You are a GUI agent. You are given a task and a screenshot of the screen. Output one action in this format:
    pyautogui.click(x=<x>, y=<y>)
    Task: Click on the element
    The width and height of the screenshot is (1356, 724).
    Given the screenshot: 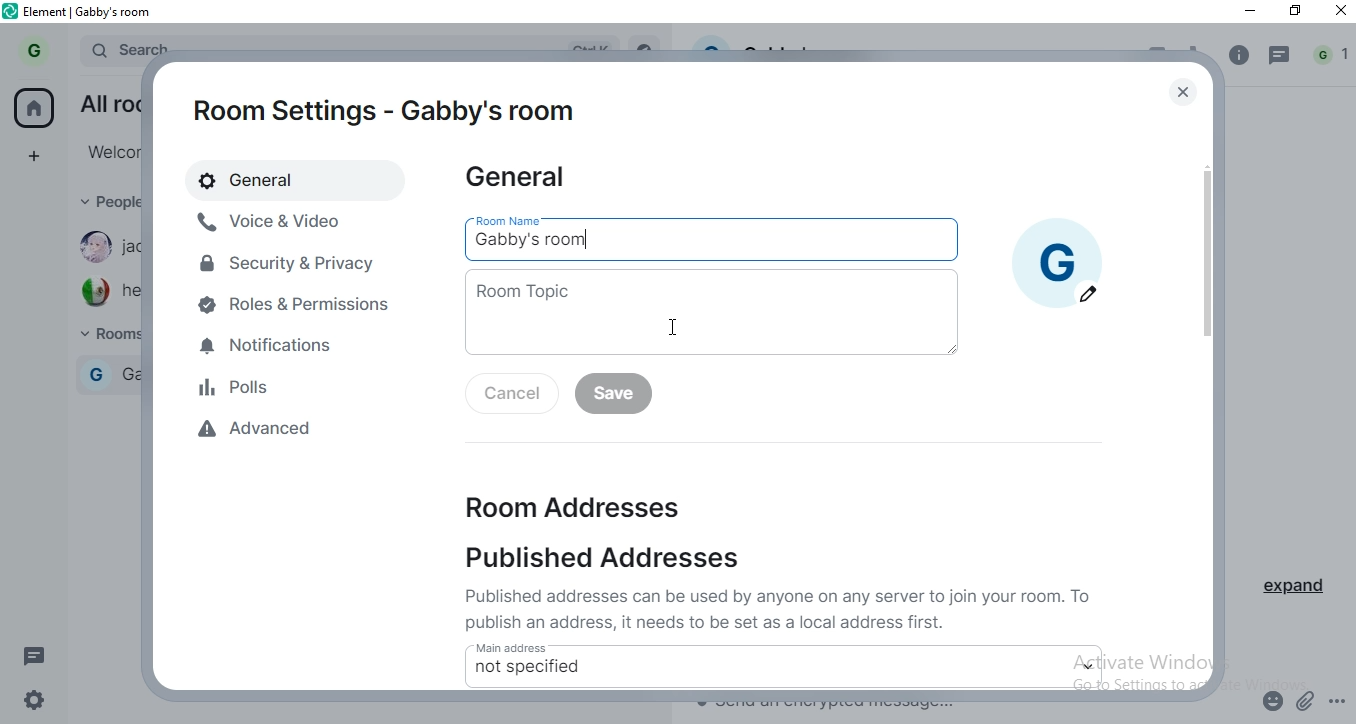 What is the action you would take?
    pyautogui.click(x=93, y=11)
    